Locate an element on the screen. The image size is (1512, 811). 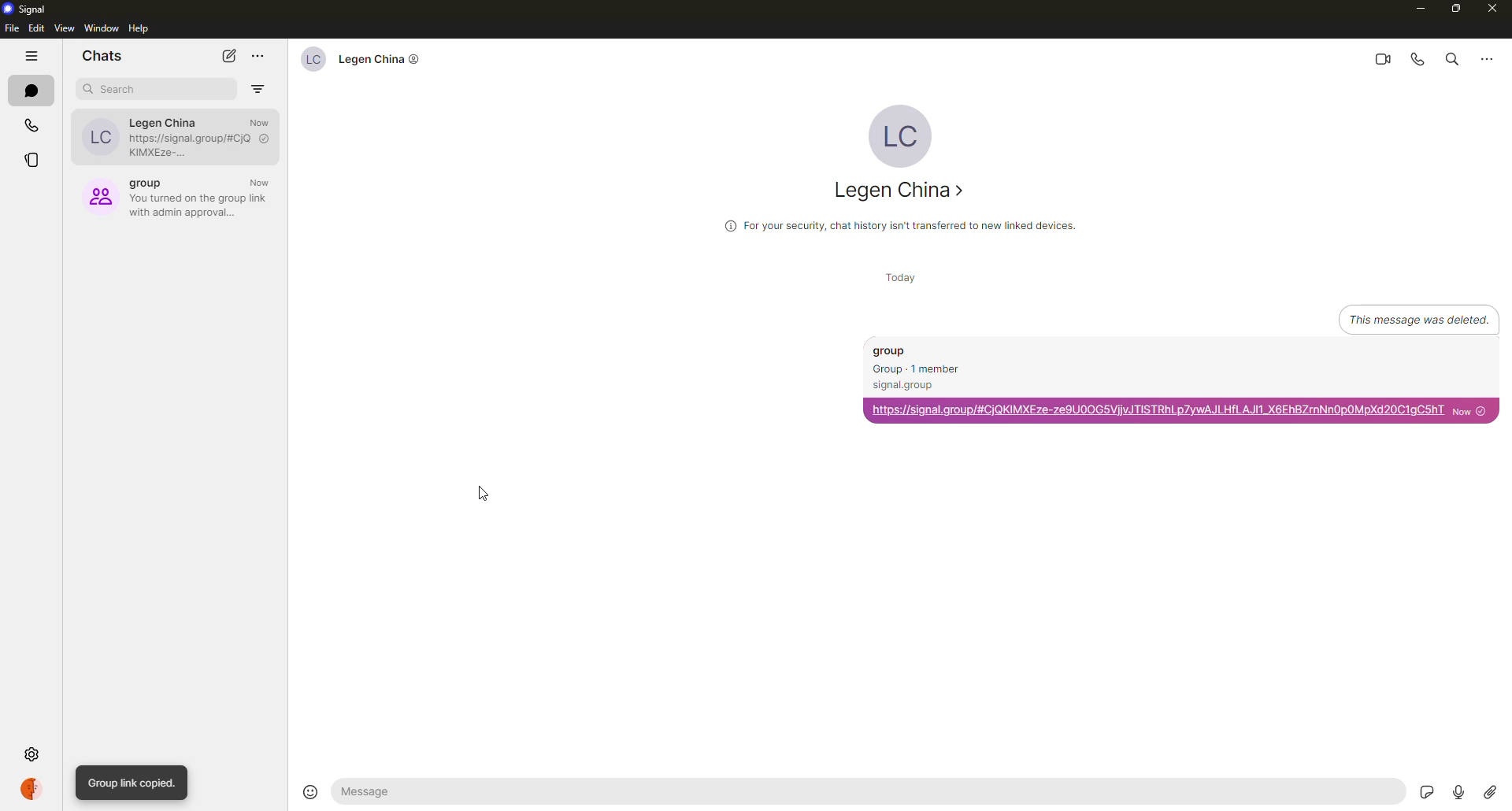
voice call is located at coordinates (1416, 59).